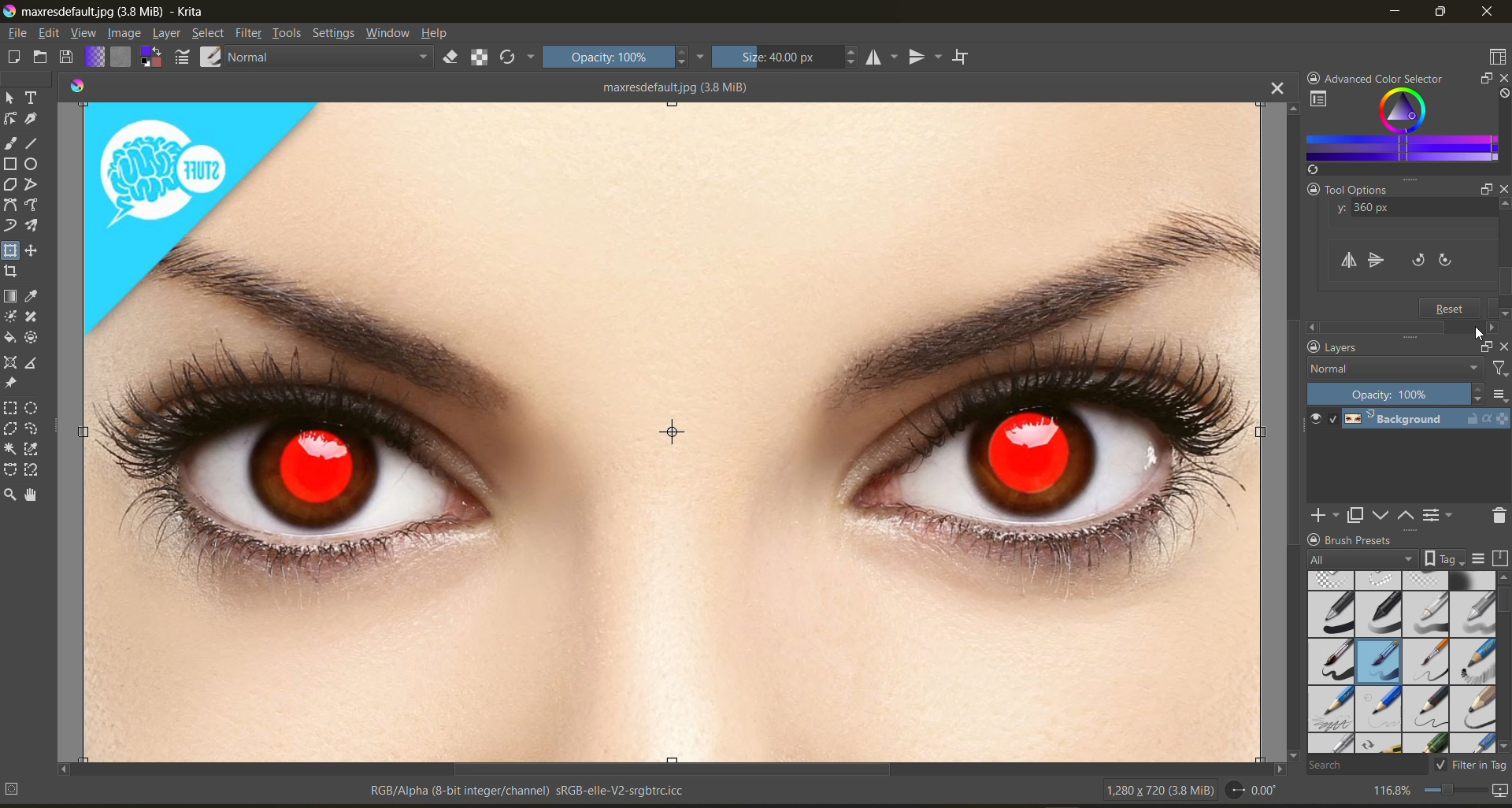  Describe the element at coordinates (1445, 558) in the screenshot. I see `show tag box` at that location.